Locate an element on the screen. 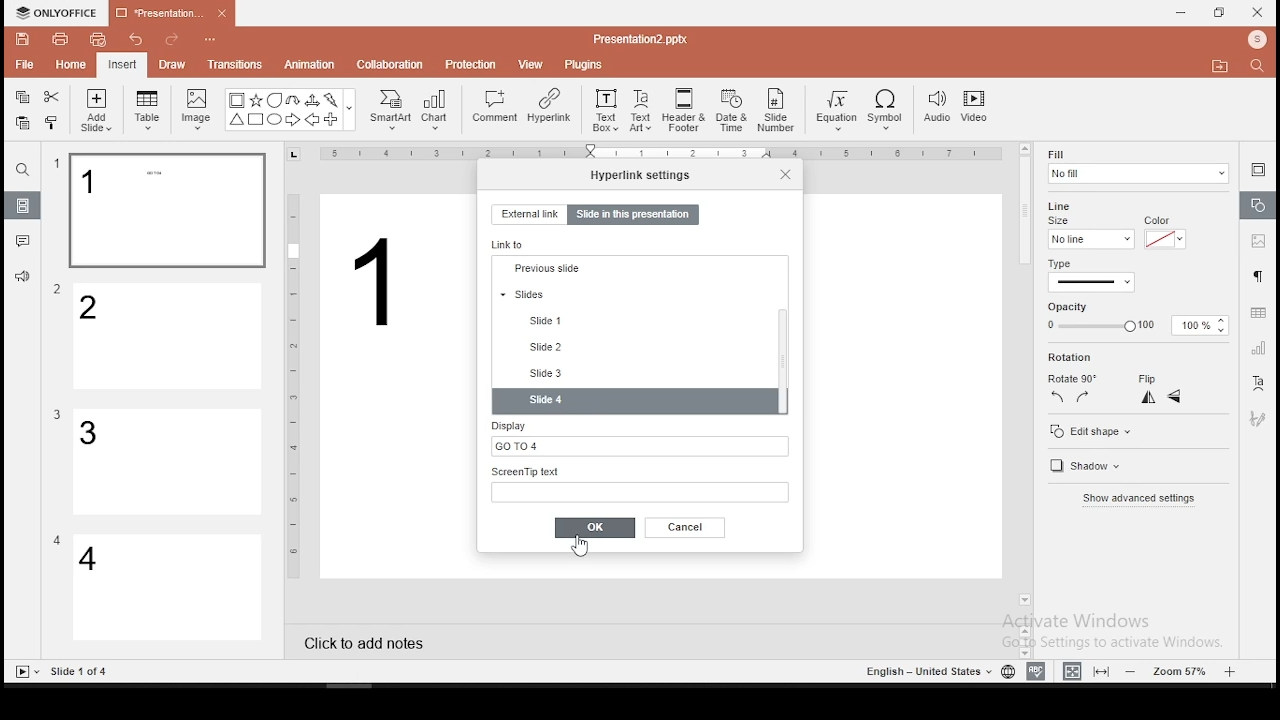  video is located at coordinates (974, 109).